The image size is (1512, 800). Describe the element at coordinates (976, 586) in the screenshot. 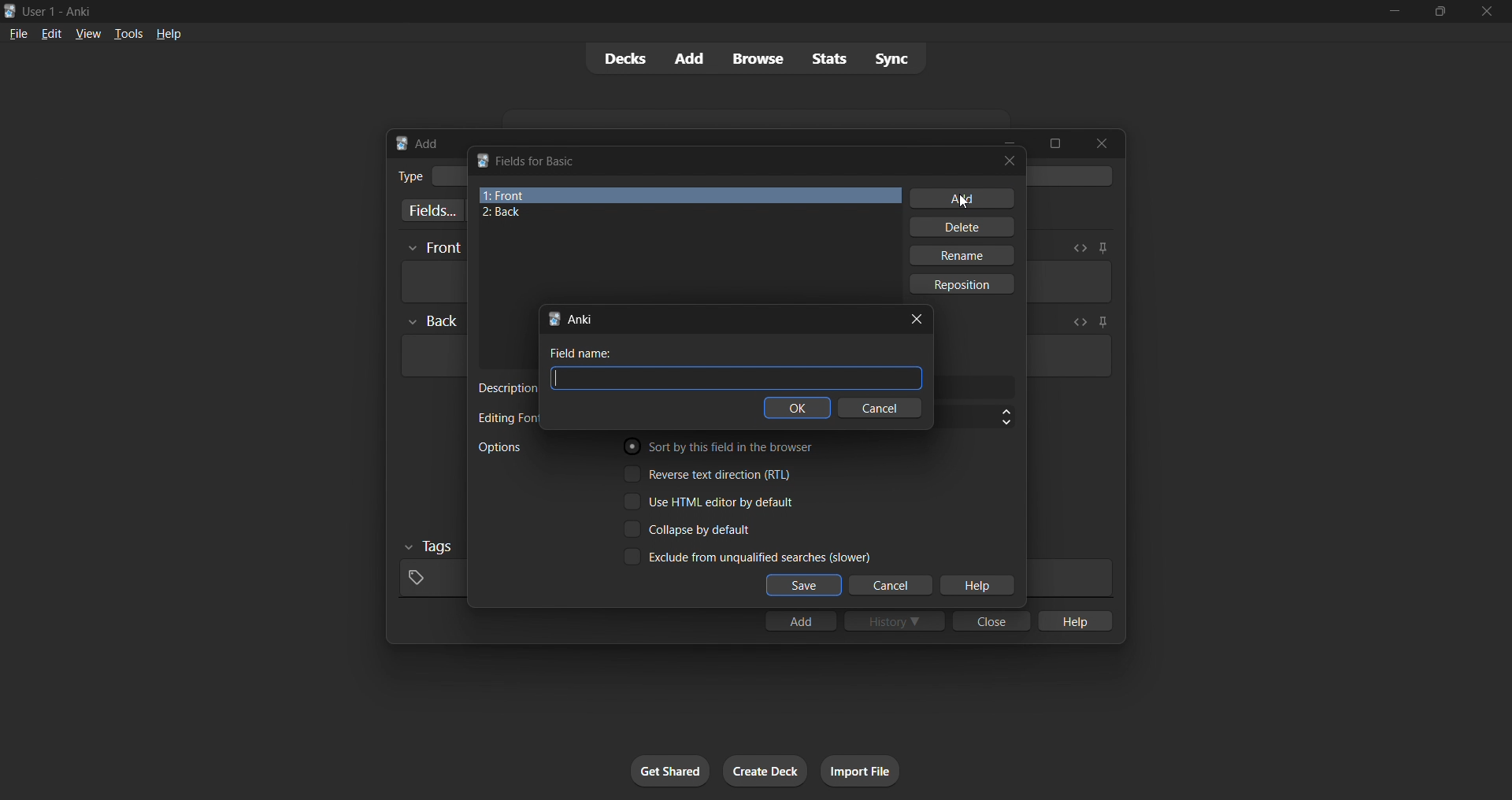

I see `help` at that location.